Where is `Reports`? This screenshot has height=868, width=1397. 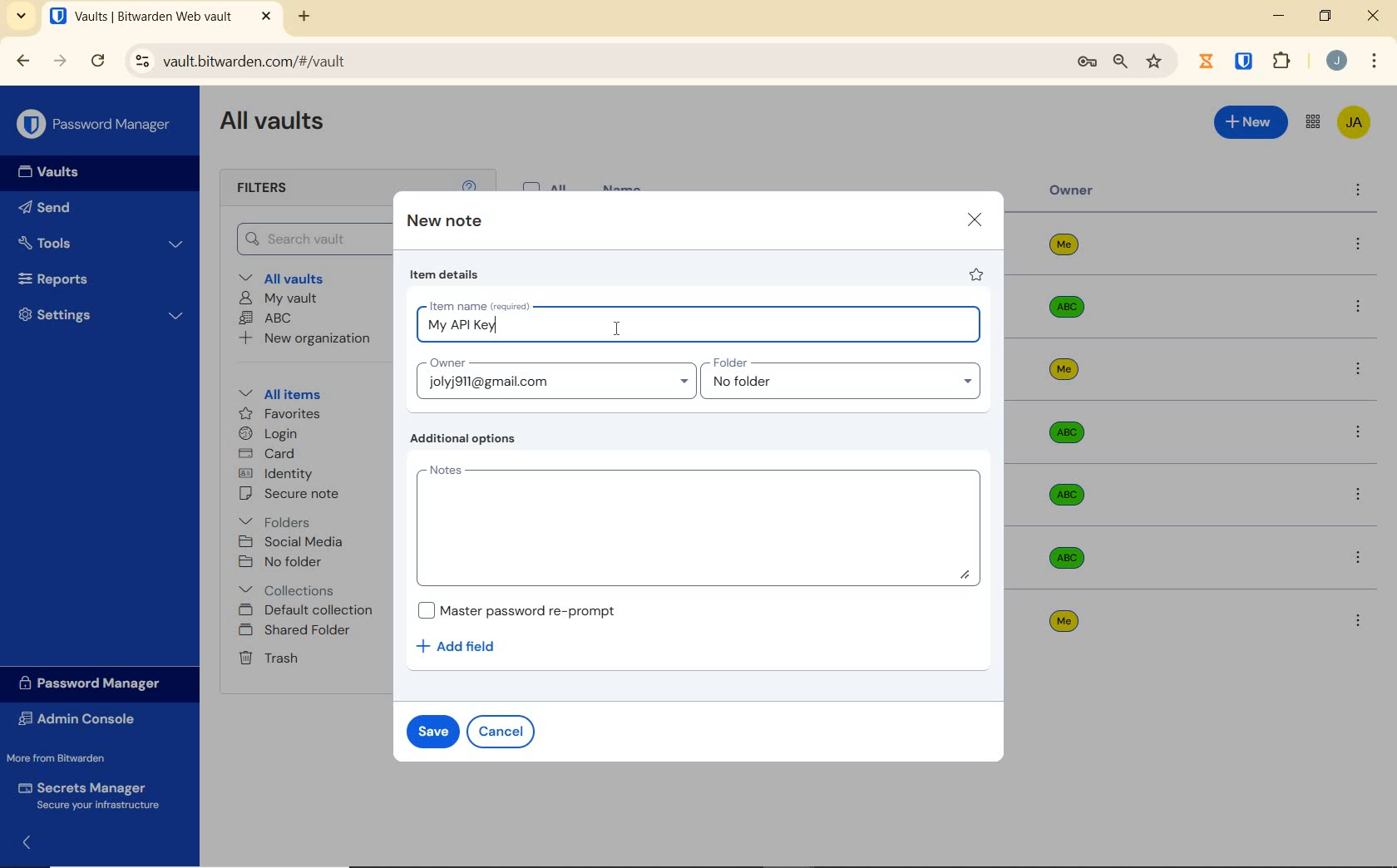
Reports is located at coordinates (95, 280).